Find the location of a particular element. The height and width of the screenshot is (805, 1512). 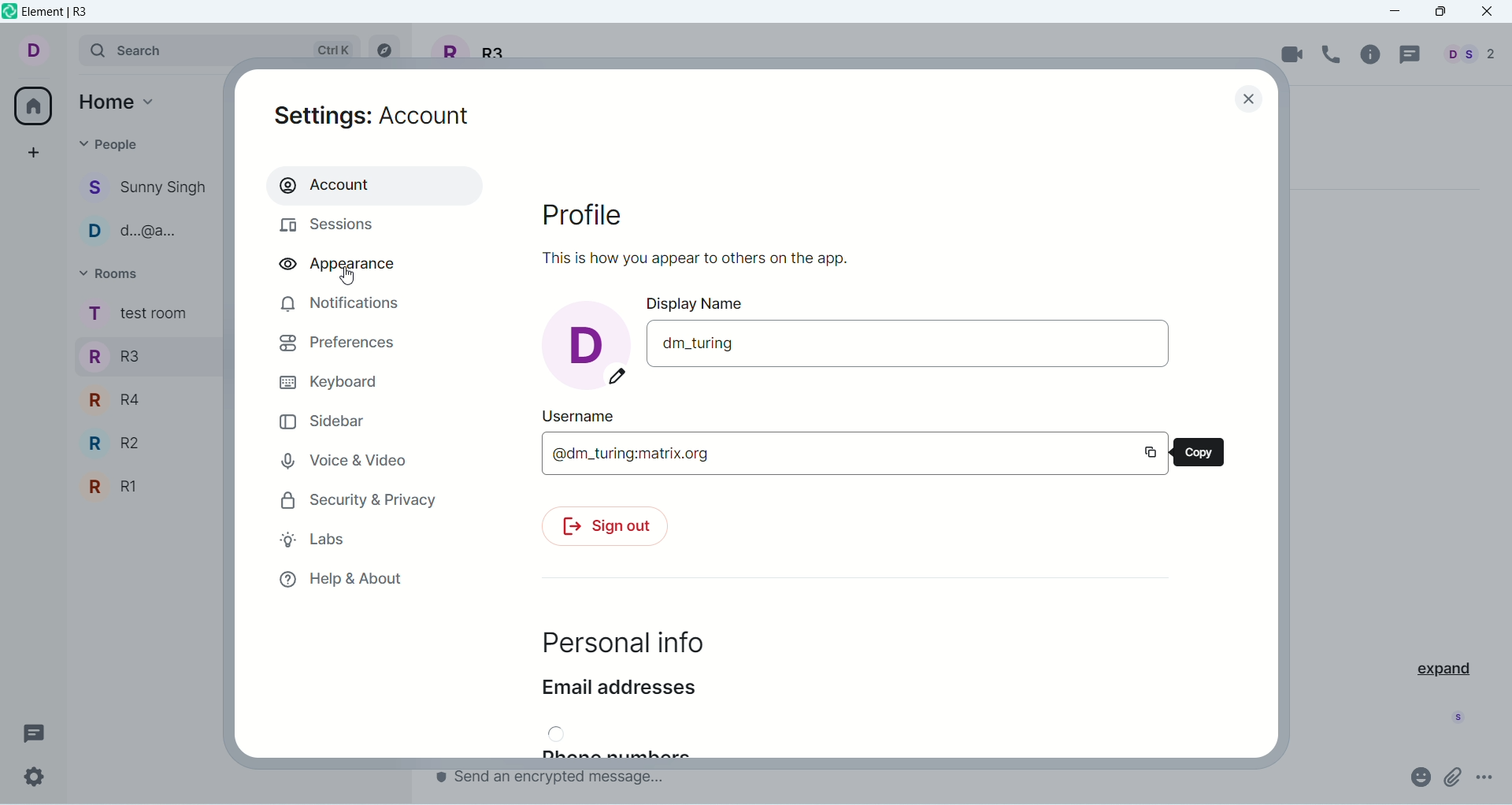

display name is located at coordinates (691, 301).